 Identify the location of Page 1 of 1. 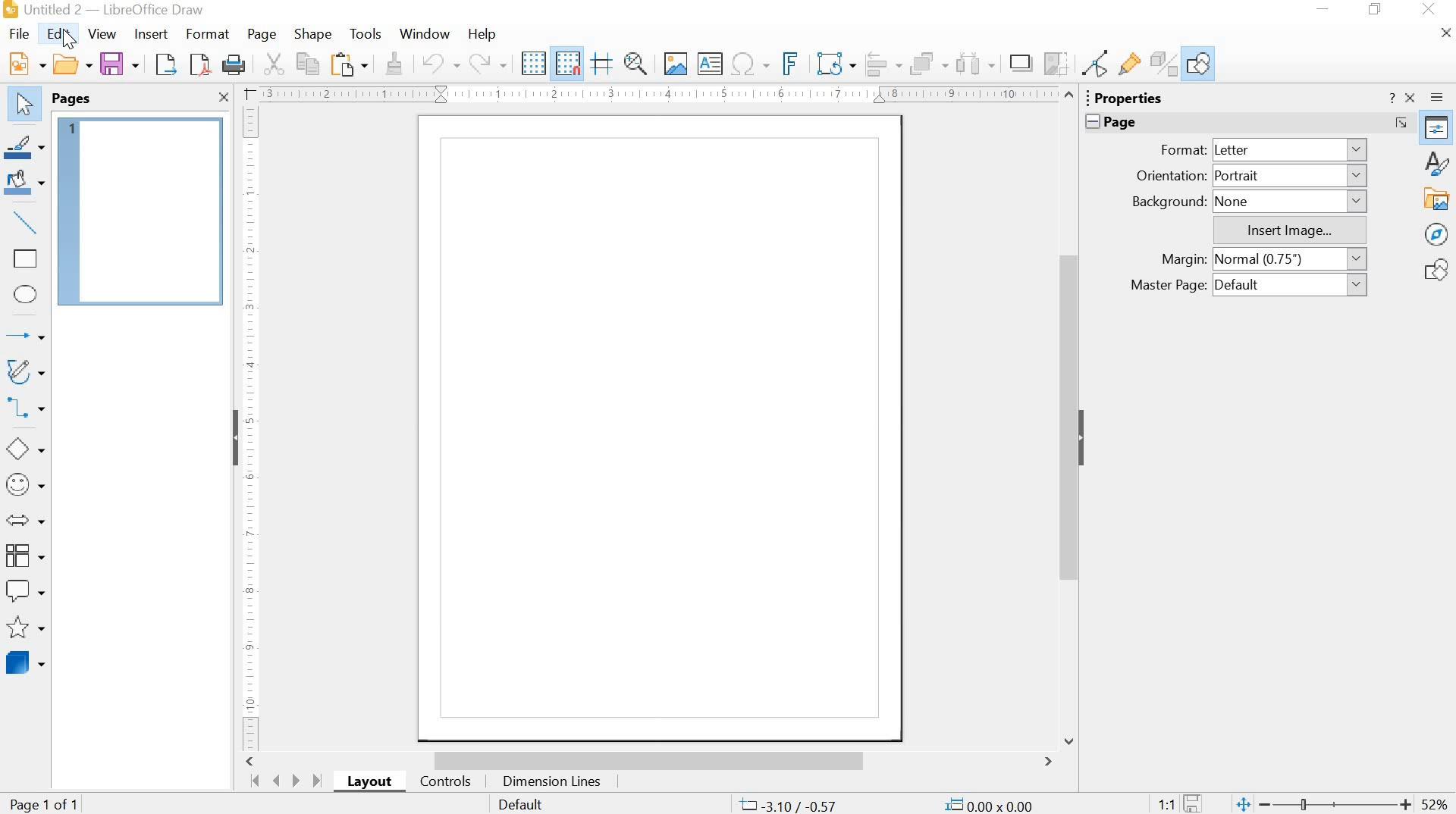
(55, 803).